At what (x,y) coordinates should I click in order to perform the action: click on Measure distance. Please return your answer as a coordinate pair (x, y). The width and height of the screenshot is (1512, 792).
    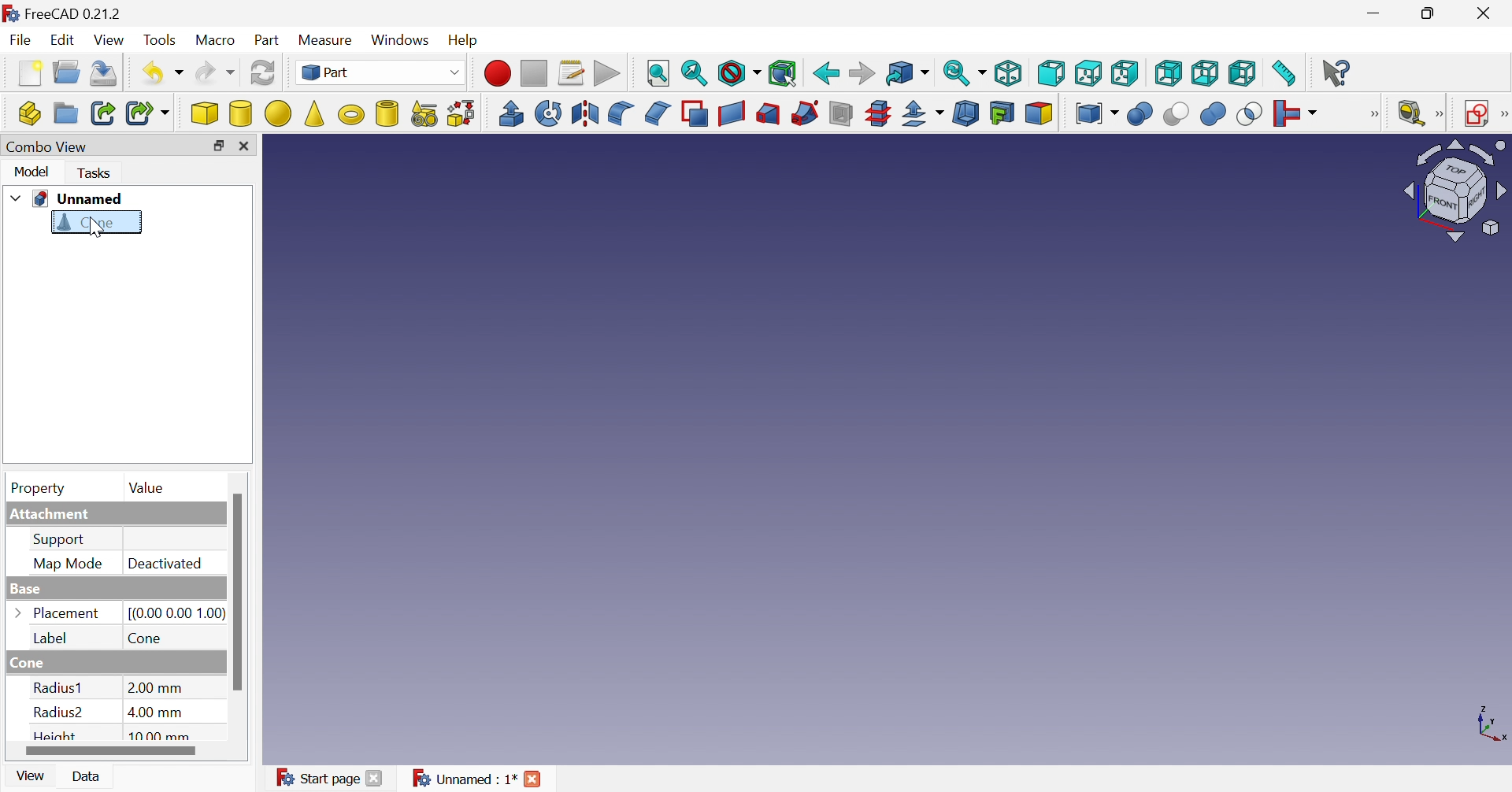
    Looking at the image, I should click on (1286, 74).